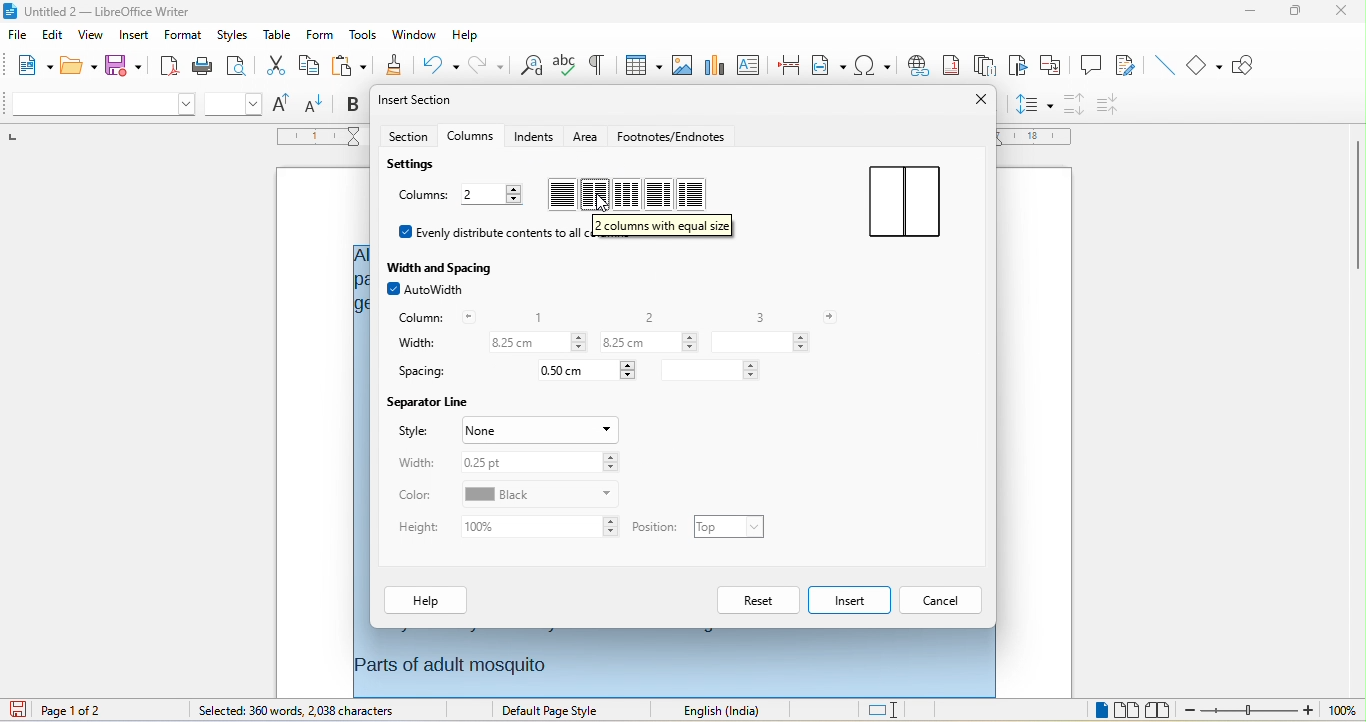  I want to click on font size, so click(234, 105).